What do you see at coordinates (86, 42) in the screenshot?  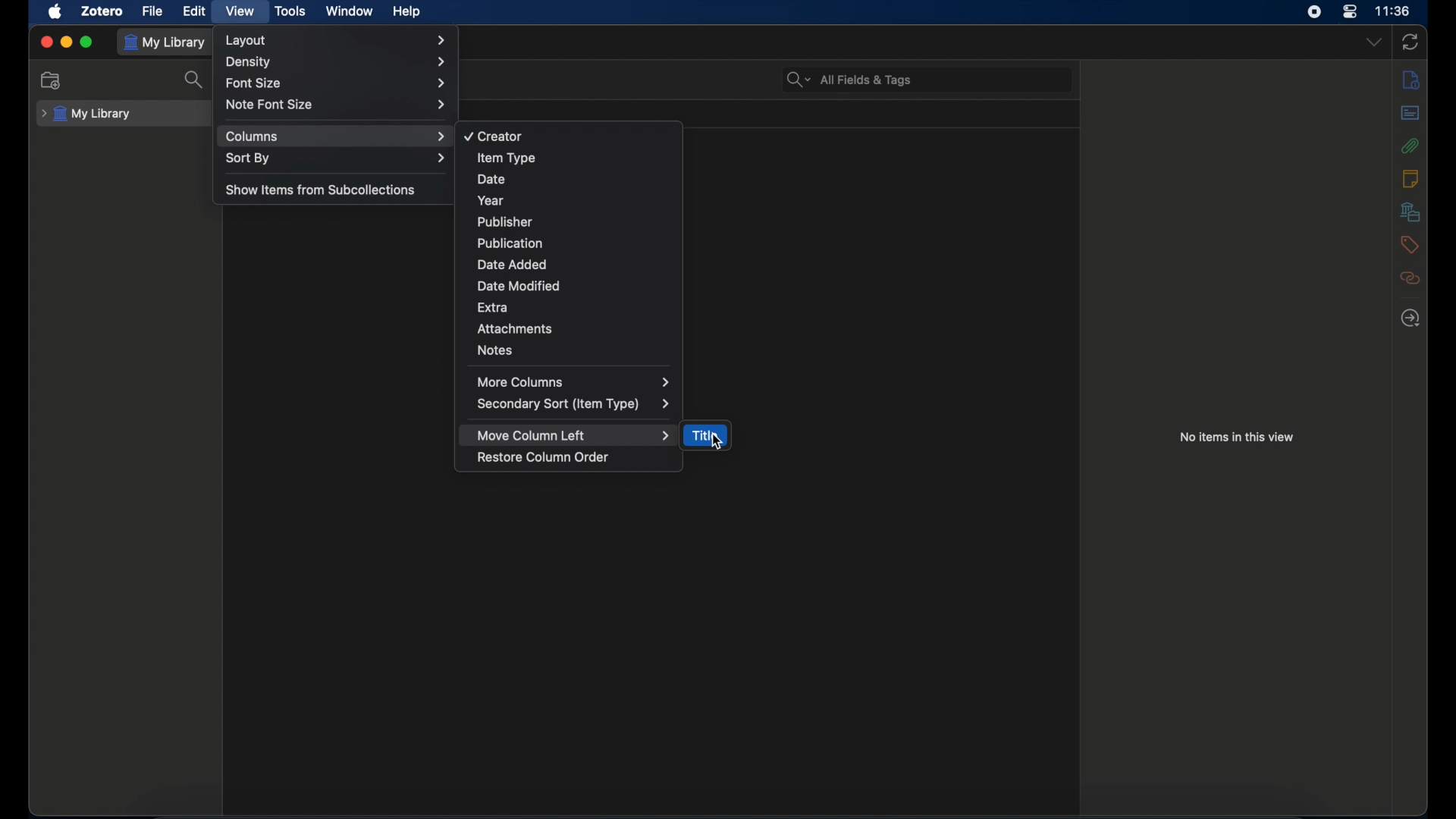 I see `maximize` at bounding box center [86, 42].